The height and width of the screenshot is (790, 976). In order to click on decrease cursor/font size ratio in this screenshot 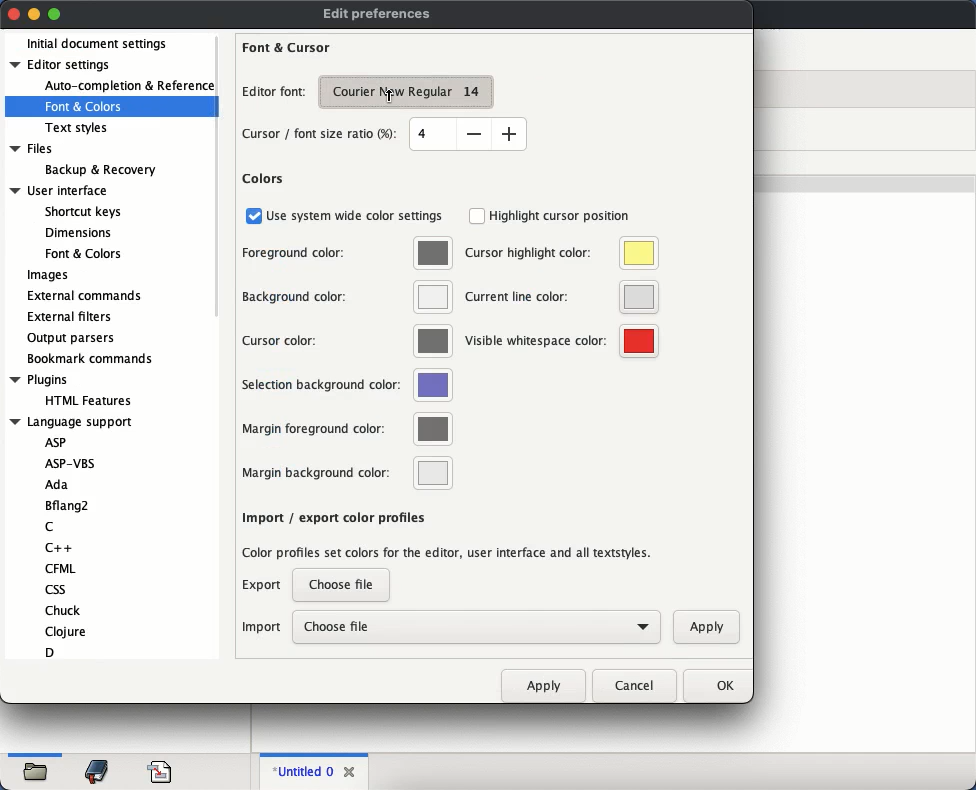, I will do `click(473, 133)`.